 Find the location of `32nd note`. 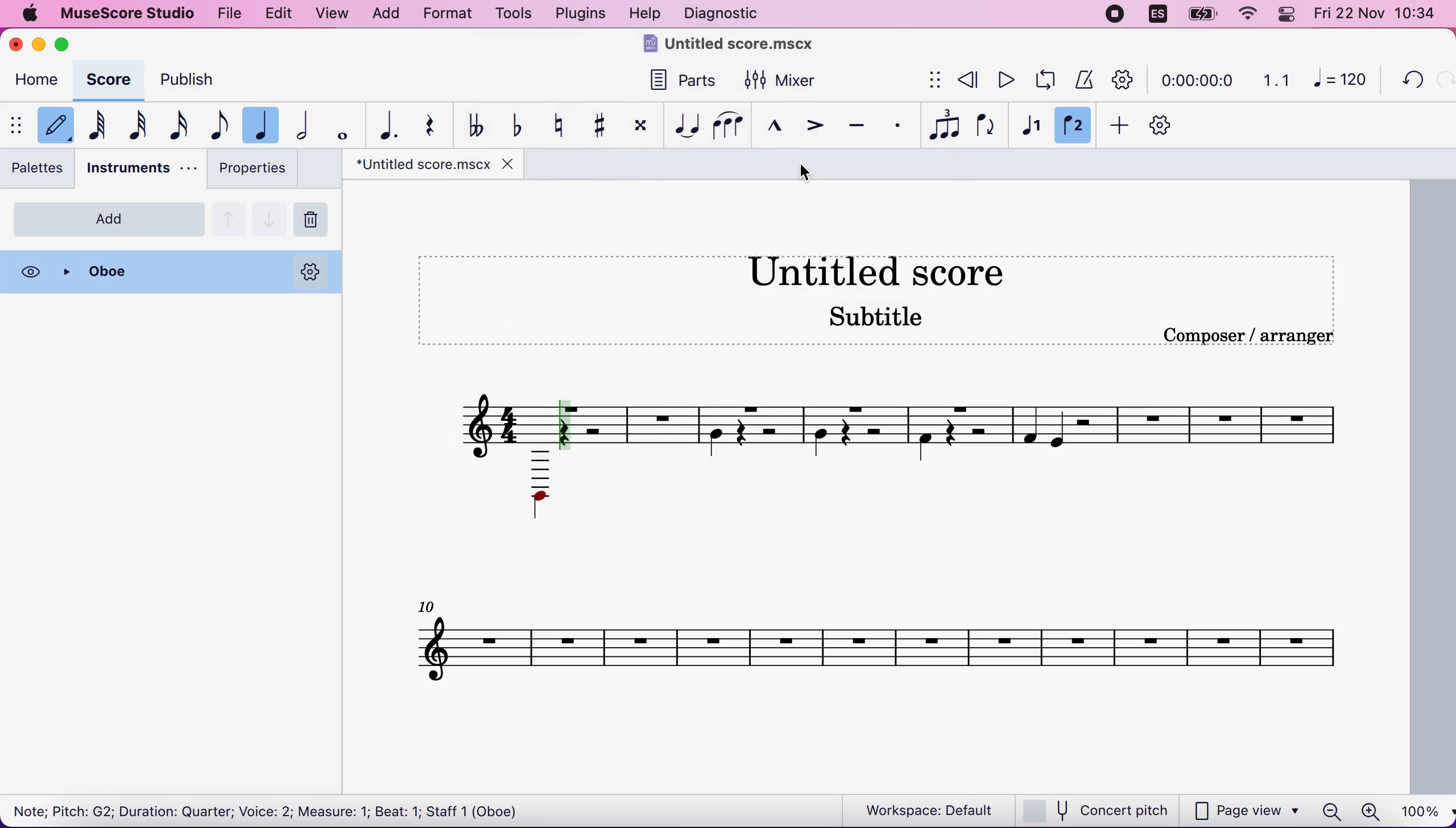

32nd note is located at coordinates (144, 126).